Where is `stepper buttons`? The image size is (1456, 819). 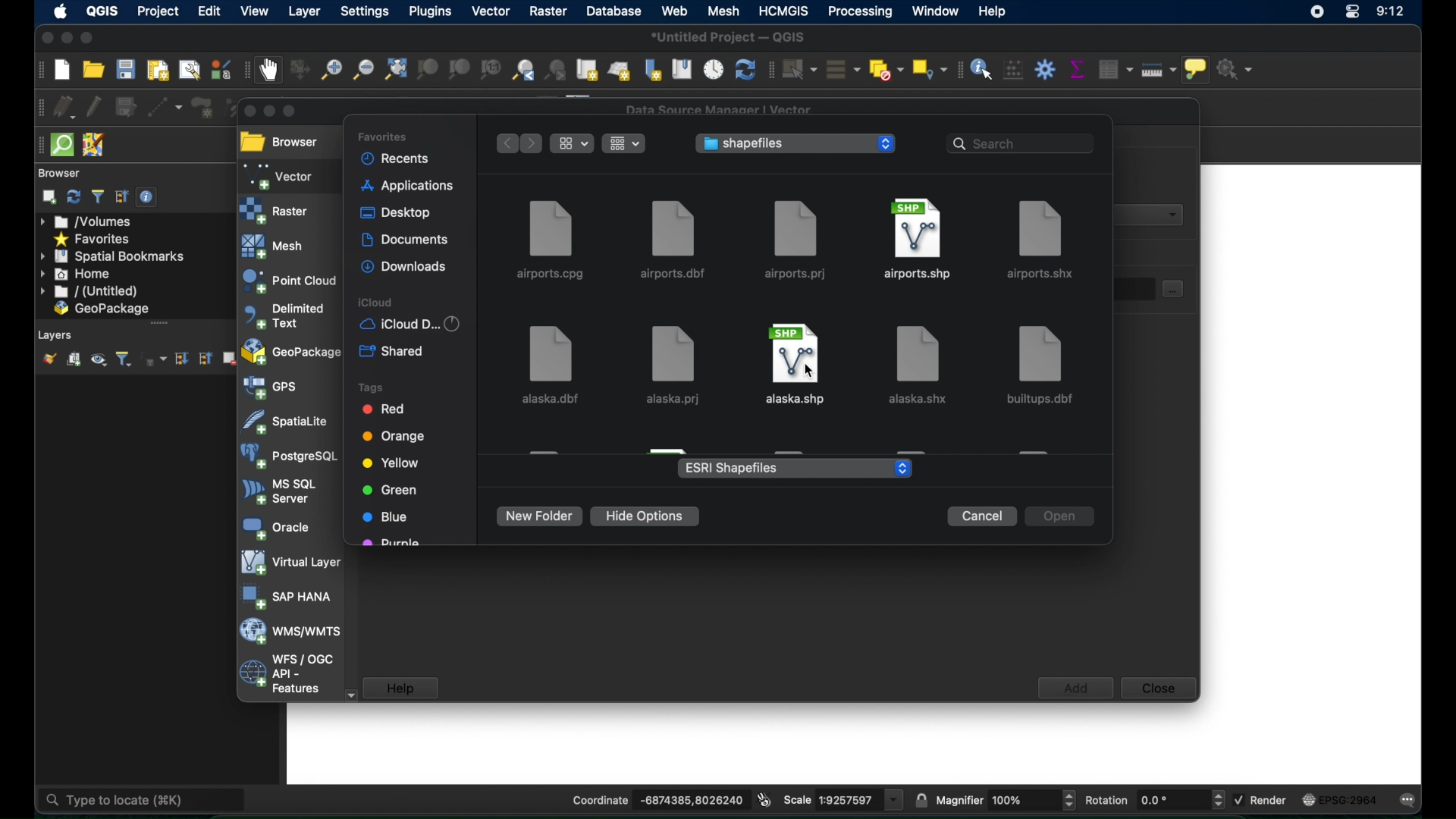
stepper buttons is located at coordinates (902, 469).